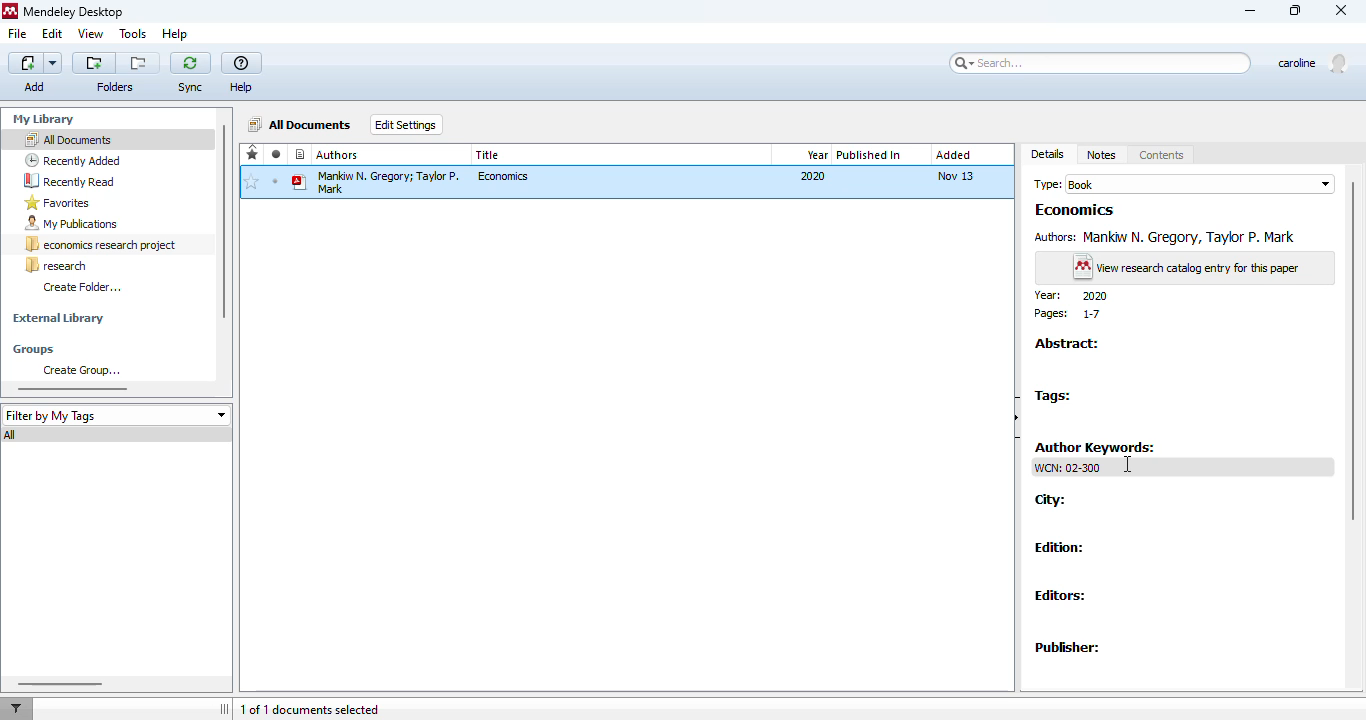  What do you see at coordinates (56, 265) in the screenshot?
I see `research` at bounding box center [56, 265].